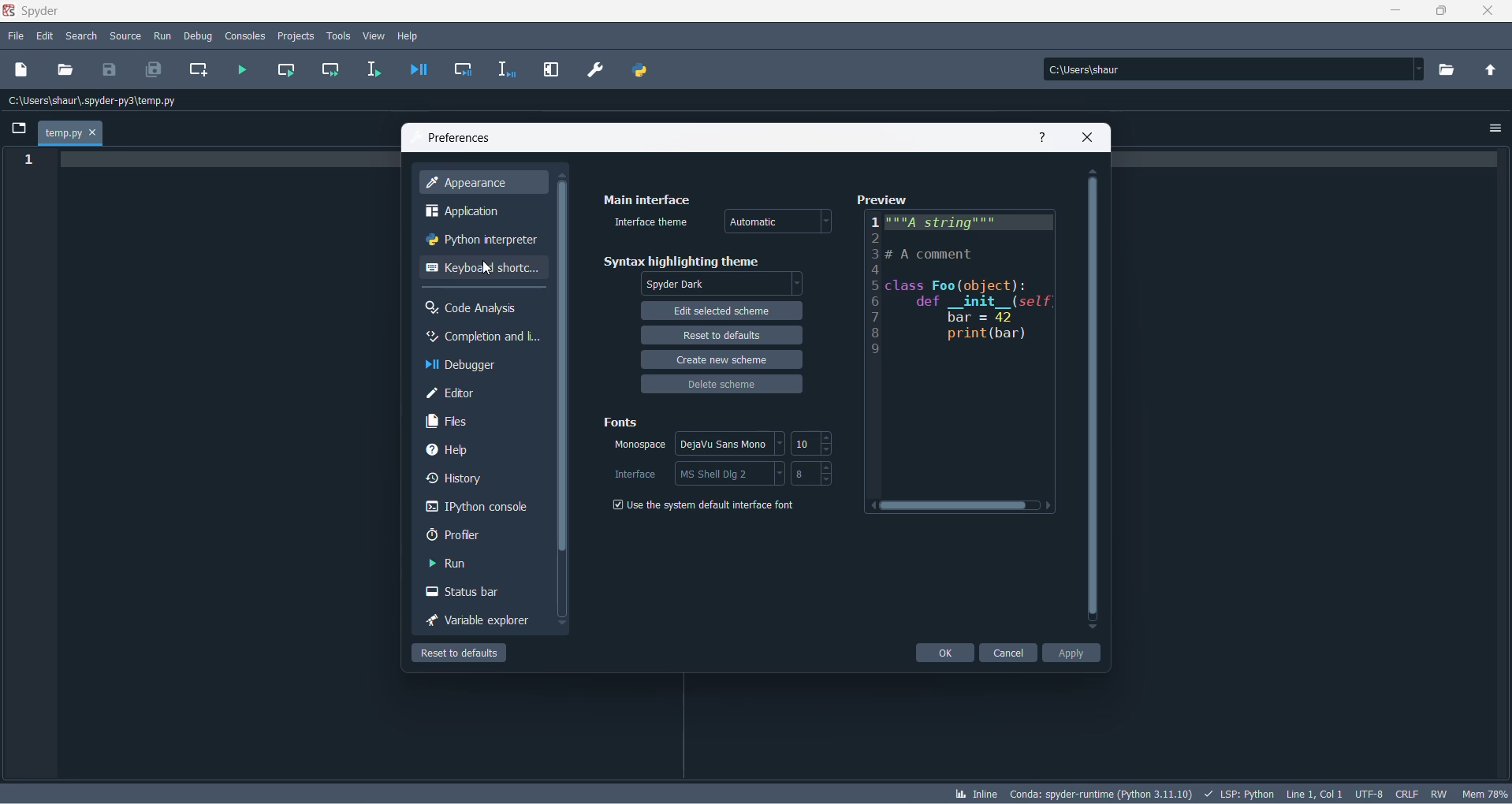  What do you see at coordinates (597, 70) in the screenshot?
I see `PREFERENCES` at bounding box center [597, 70].